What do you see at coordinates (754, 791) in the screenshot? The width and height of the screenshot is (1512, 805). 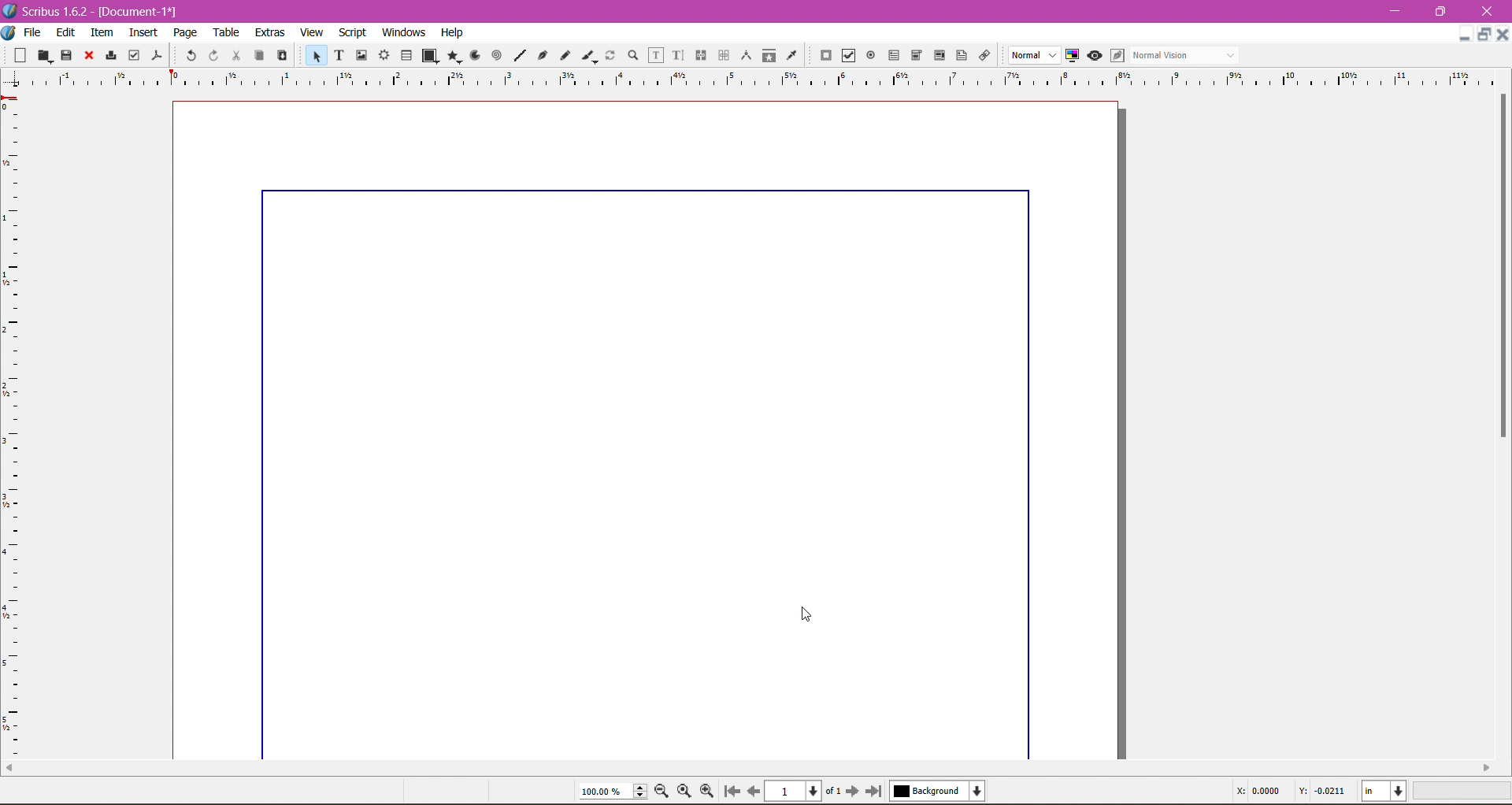 I see `Go to previous page` at bounding box center [754, 791].